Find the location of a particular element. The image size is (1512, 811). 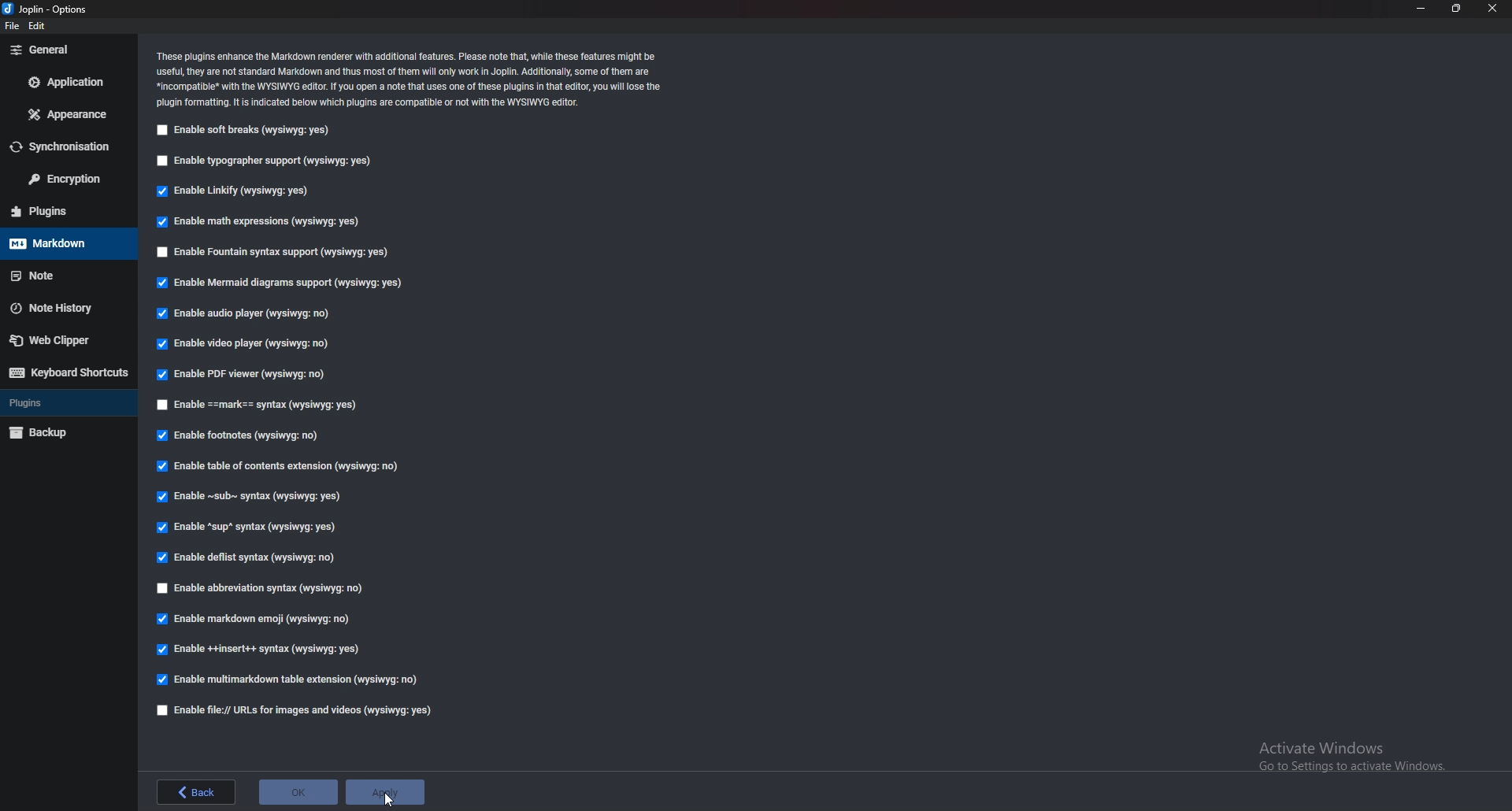

mark down is located at coordinates (61, 243).